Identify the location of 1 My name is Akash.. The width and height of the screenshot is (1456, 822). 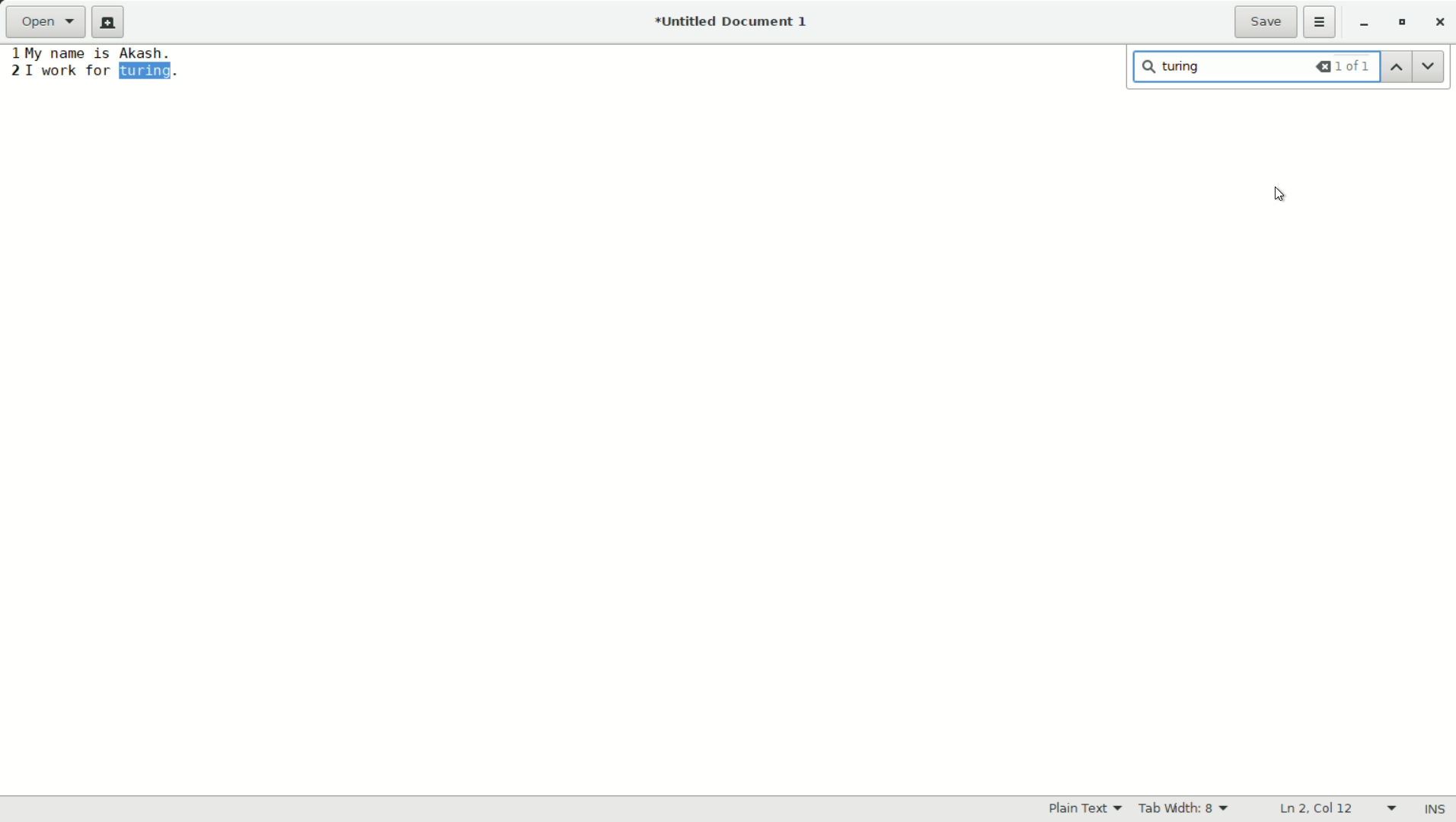
(91, 53).